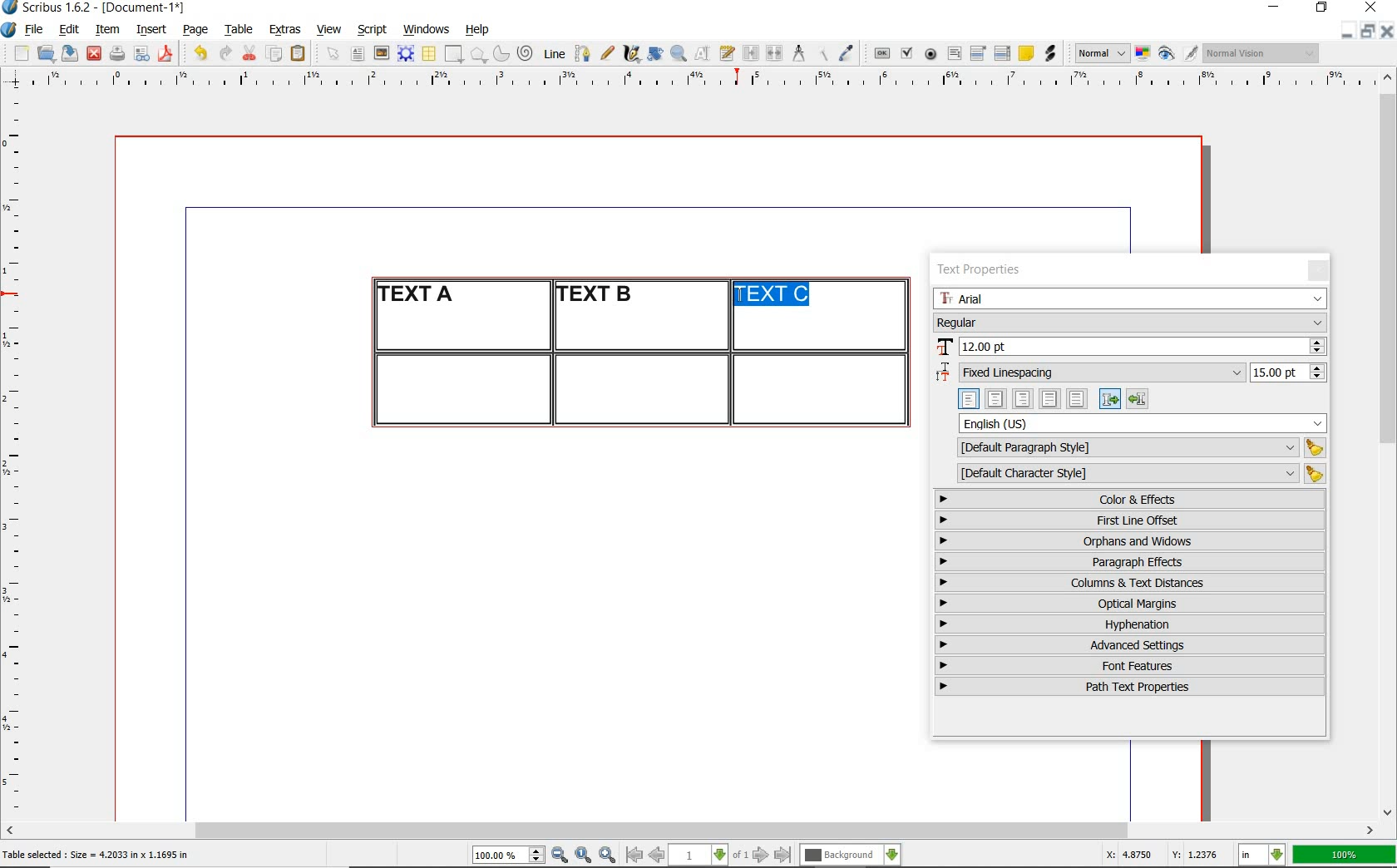 The height and width of the screenshot is (868, 1397). I want to click on X: 4.8750 Y: 1.2376, so click(1164, 854).